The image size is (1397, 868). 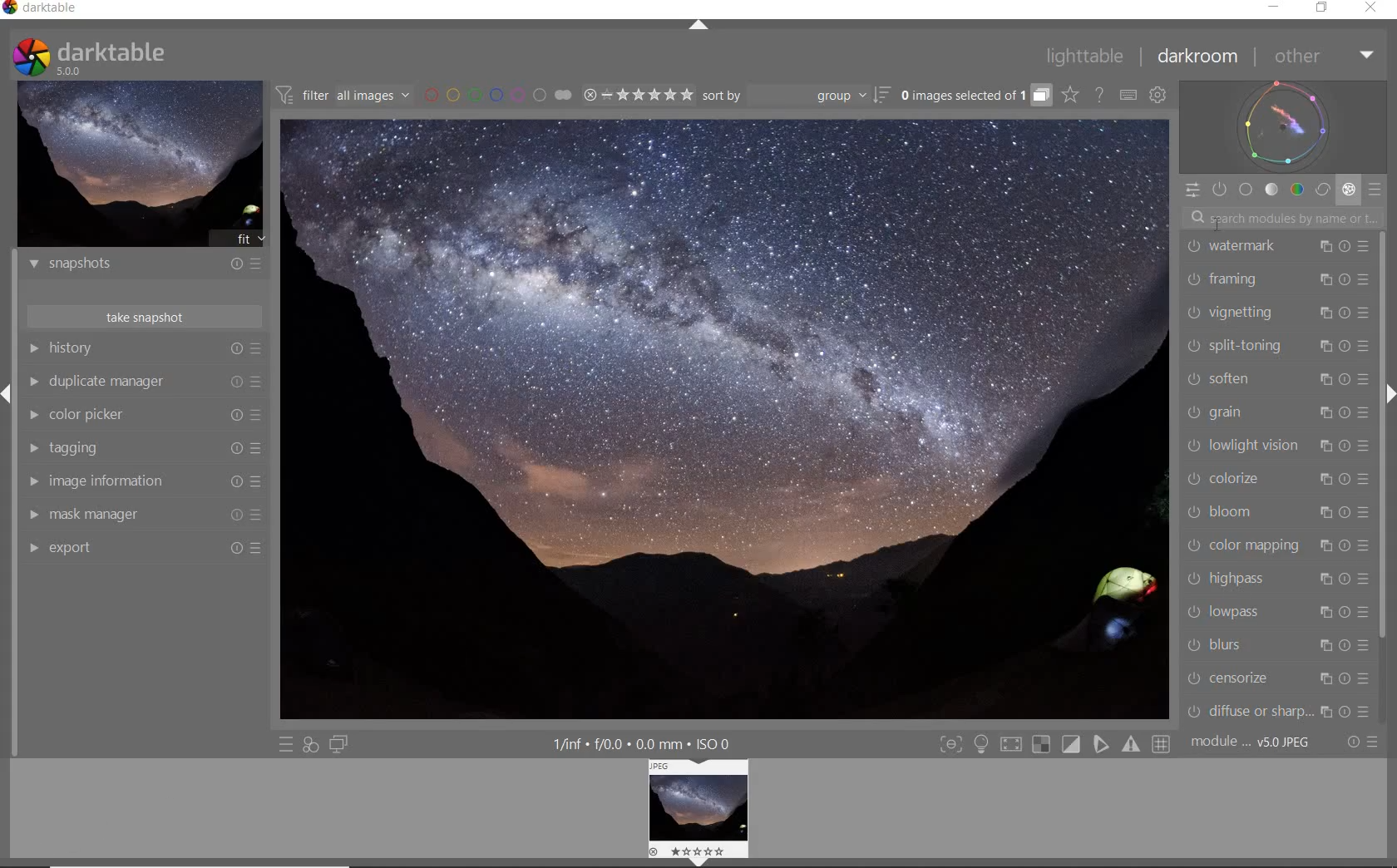 I want to click on reset parameters, so click(x=1346, y=713).